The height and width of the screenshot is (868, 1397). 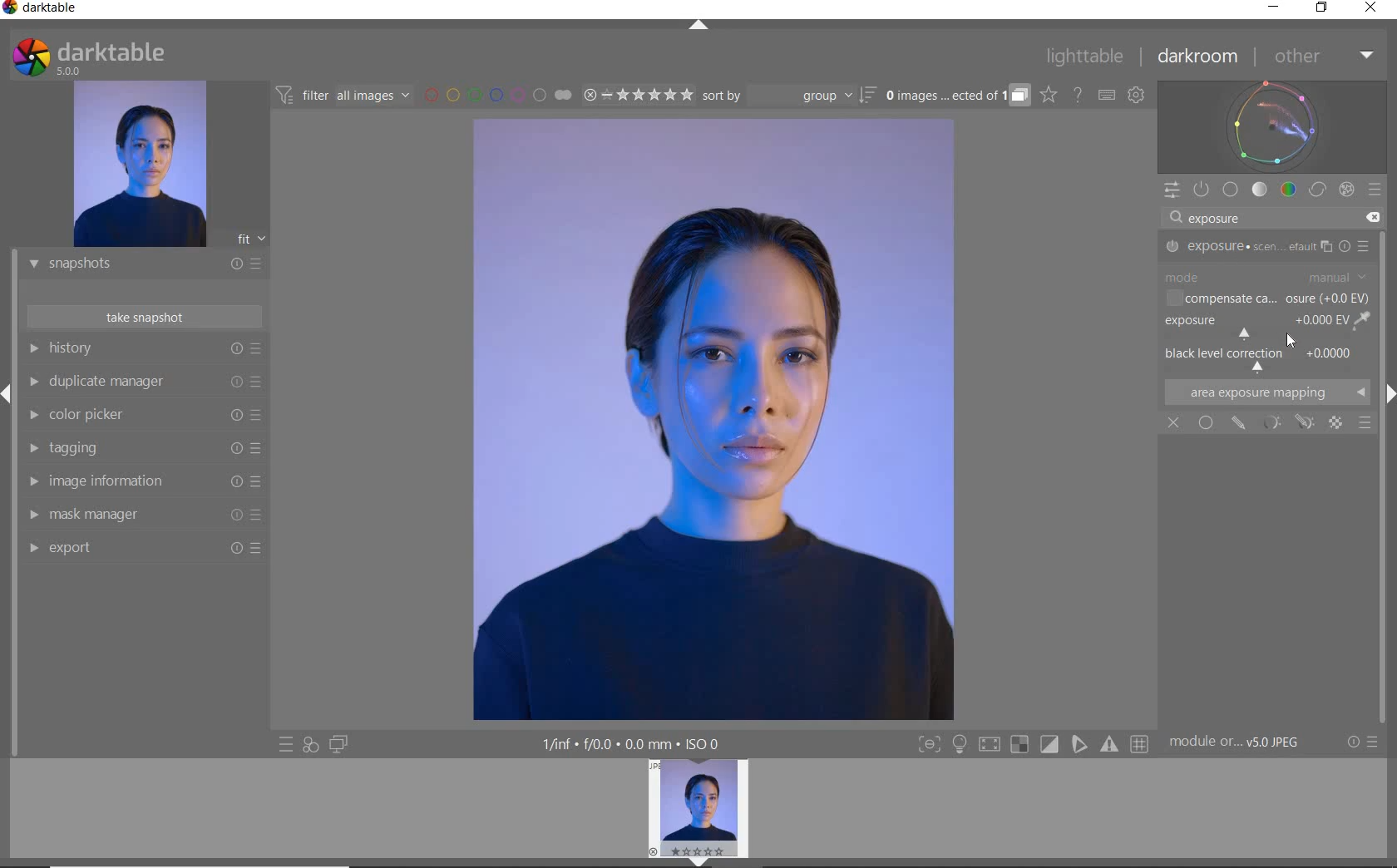 I want to click on HELP ONLINE, so click(x=1078, y=94).